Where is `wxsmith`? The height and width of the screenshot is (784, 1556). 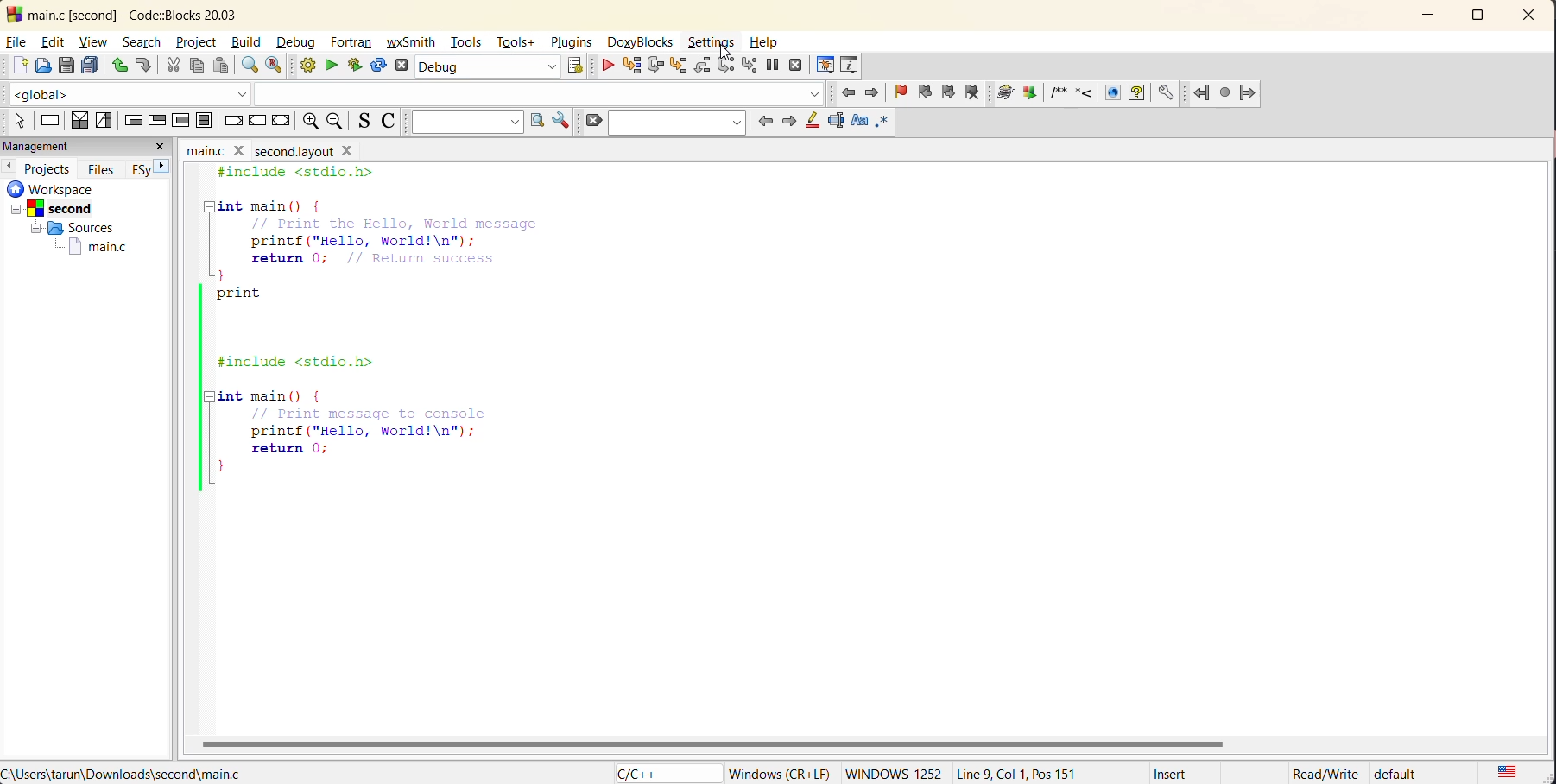
wxsmith is located at coordinates (413, 44).